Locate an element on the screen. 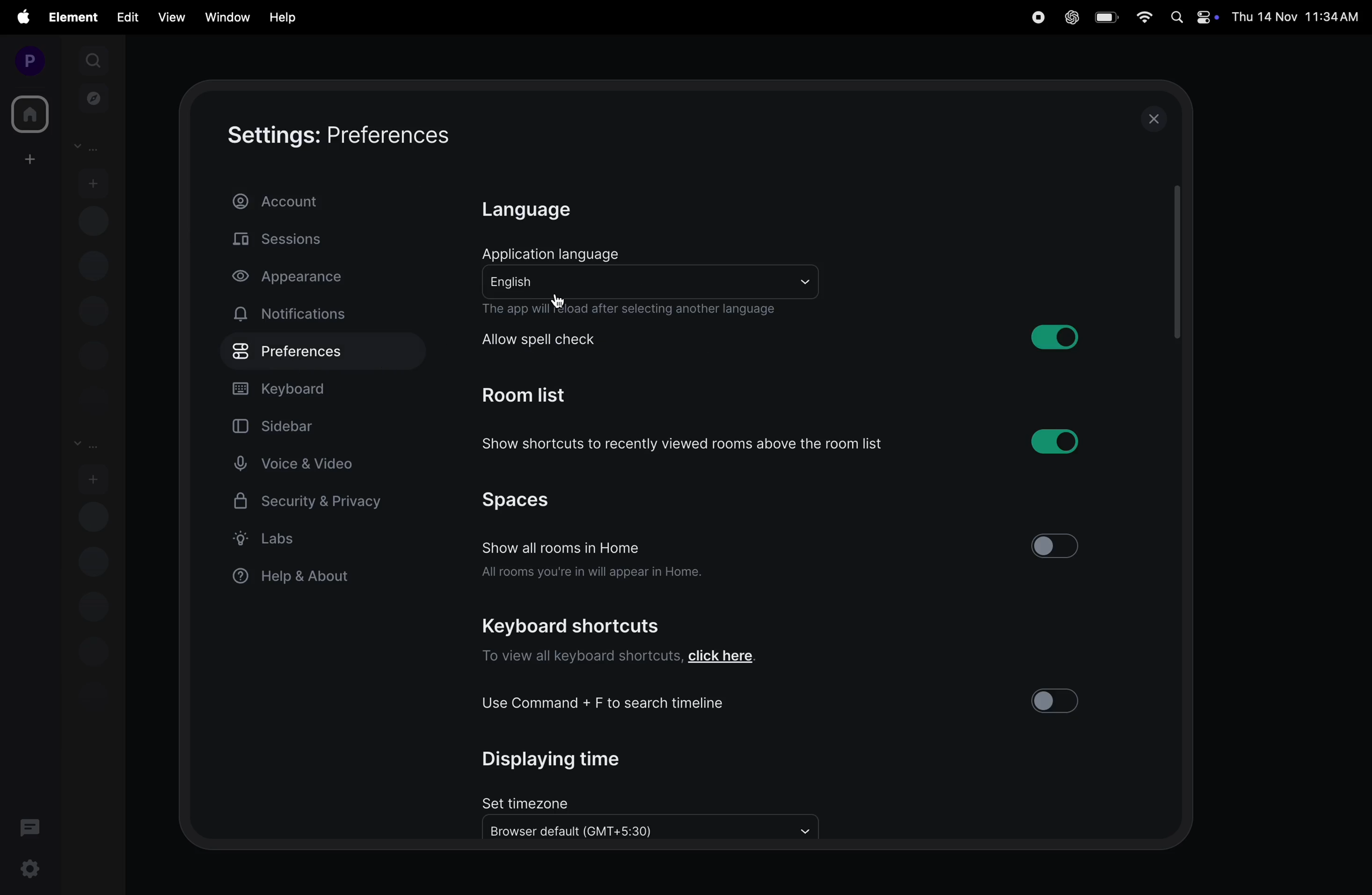 The image size is (1372, 895). view is located at coordinates (170, 17).